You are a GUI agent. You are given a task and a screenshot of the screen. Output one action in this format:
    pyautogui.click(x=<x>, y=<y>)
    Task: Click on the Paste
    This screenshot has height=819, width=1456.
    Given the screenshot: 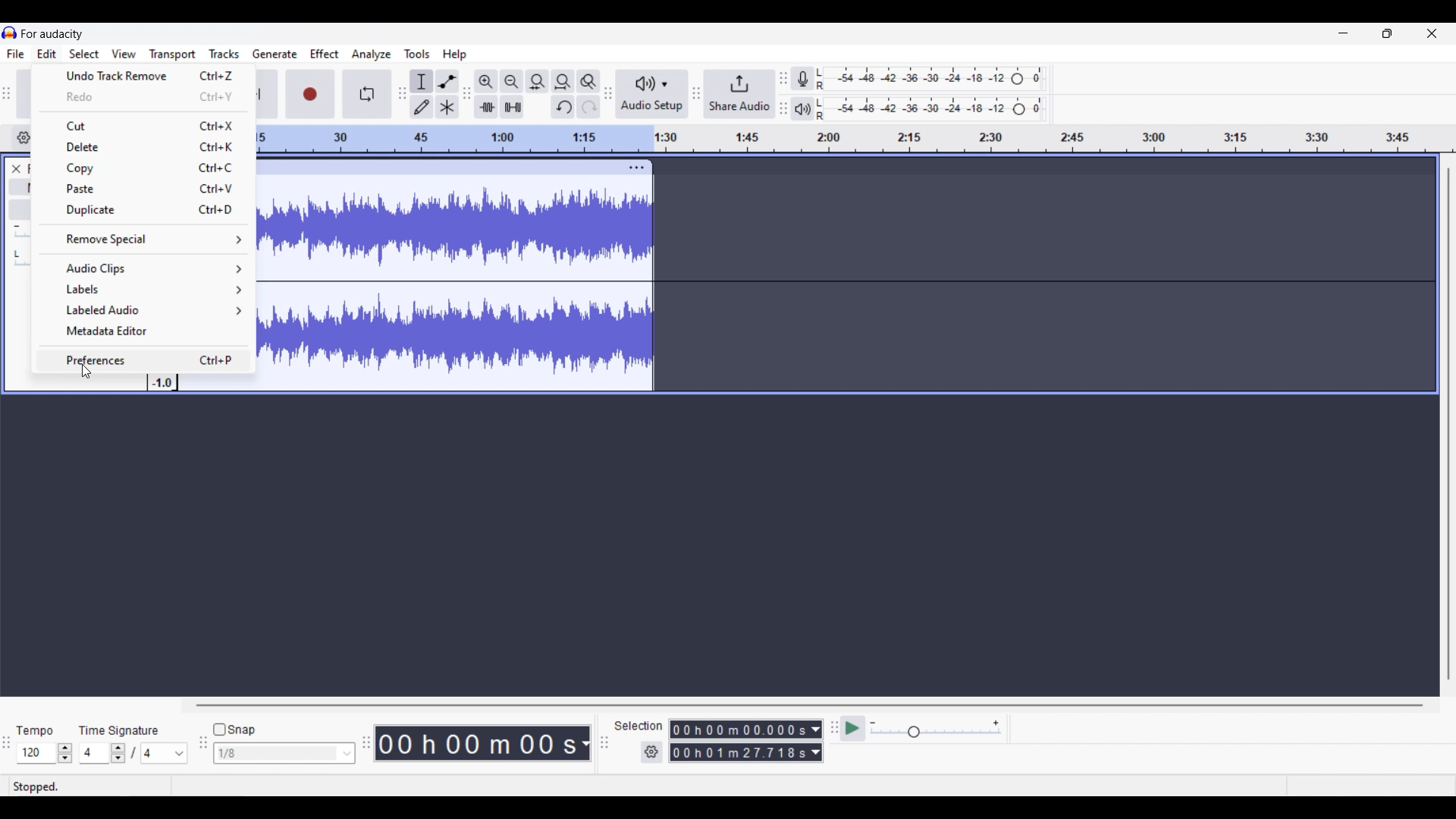 What is the action you would take?
    pyautogui.click(x=145, y=188)
    